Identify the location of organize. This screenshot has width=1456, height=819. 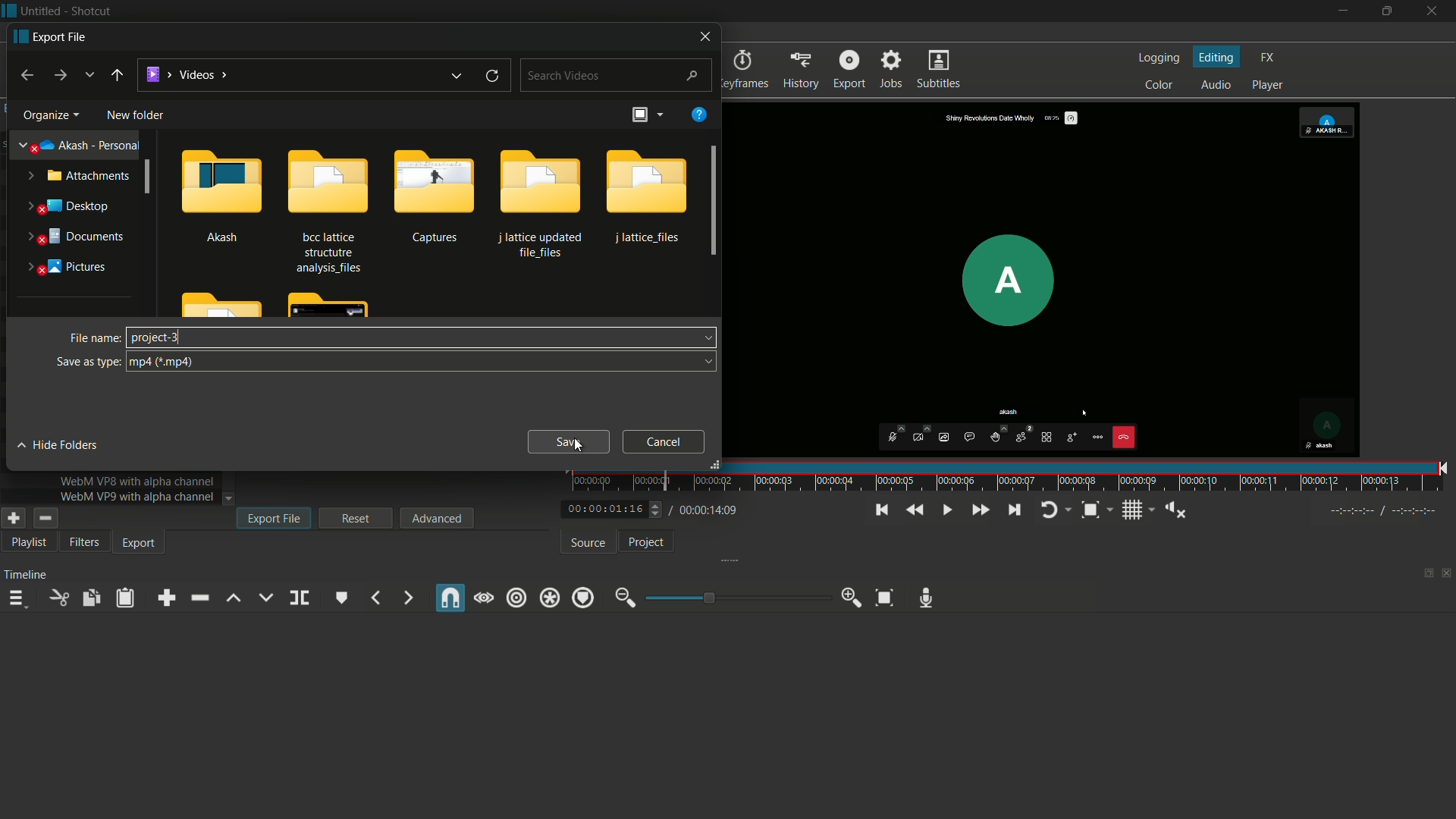
(49, 115).